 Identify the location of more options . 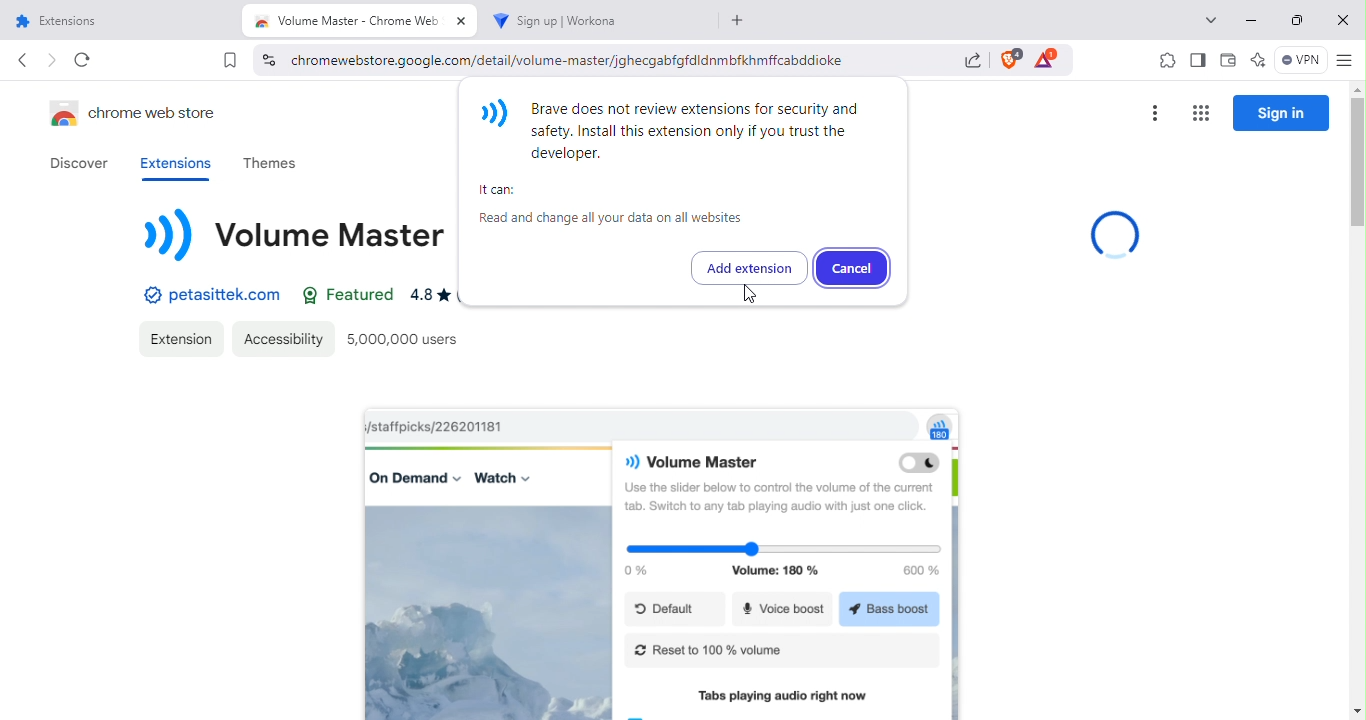
(1155, 110).